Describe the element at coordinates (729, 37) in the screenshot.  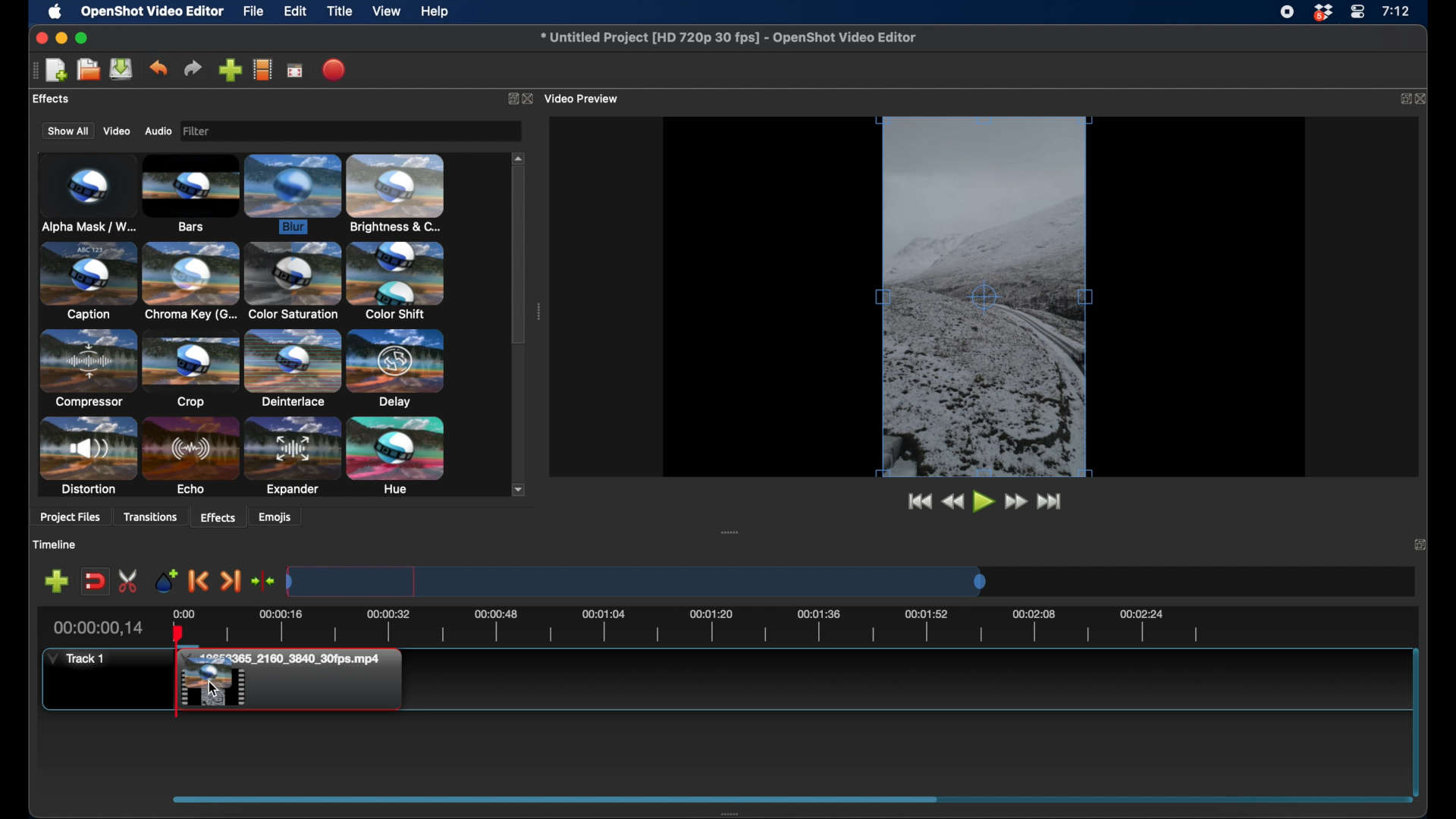
I see `file name` at that location.